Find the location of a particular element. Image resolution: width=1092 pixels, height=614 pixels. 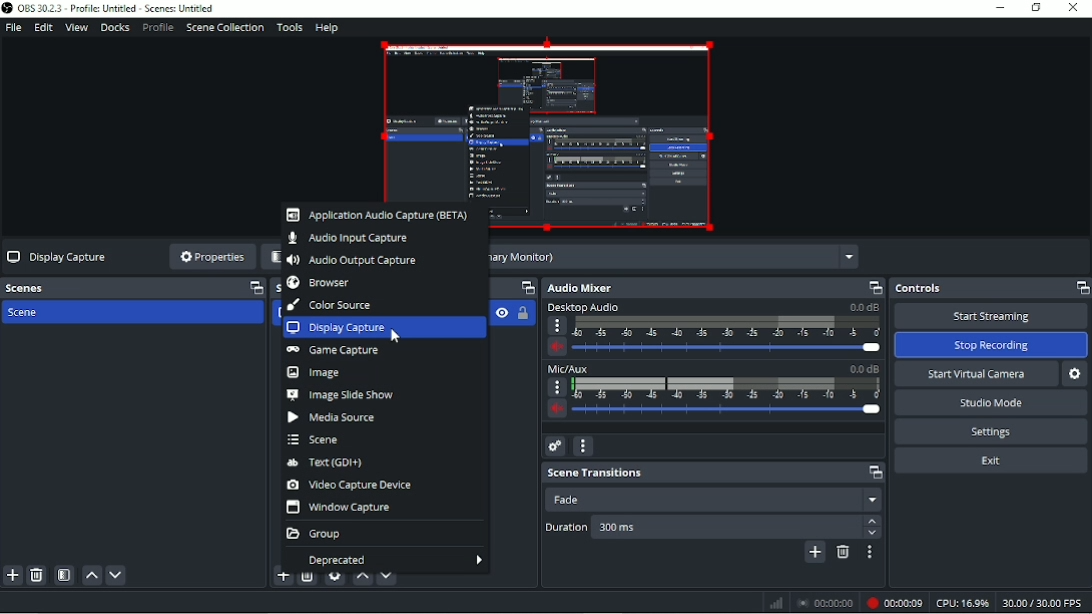

Remove selected source(s) is located at coordinates (307, 580).